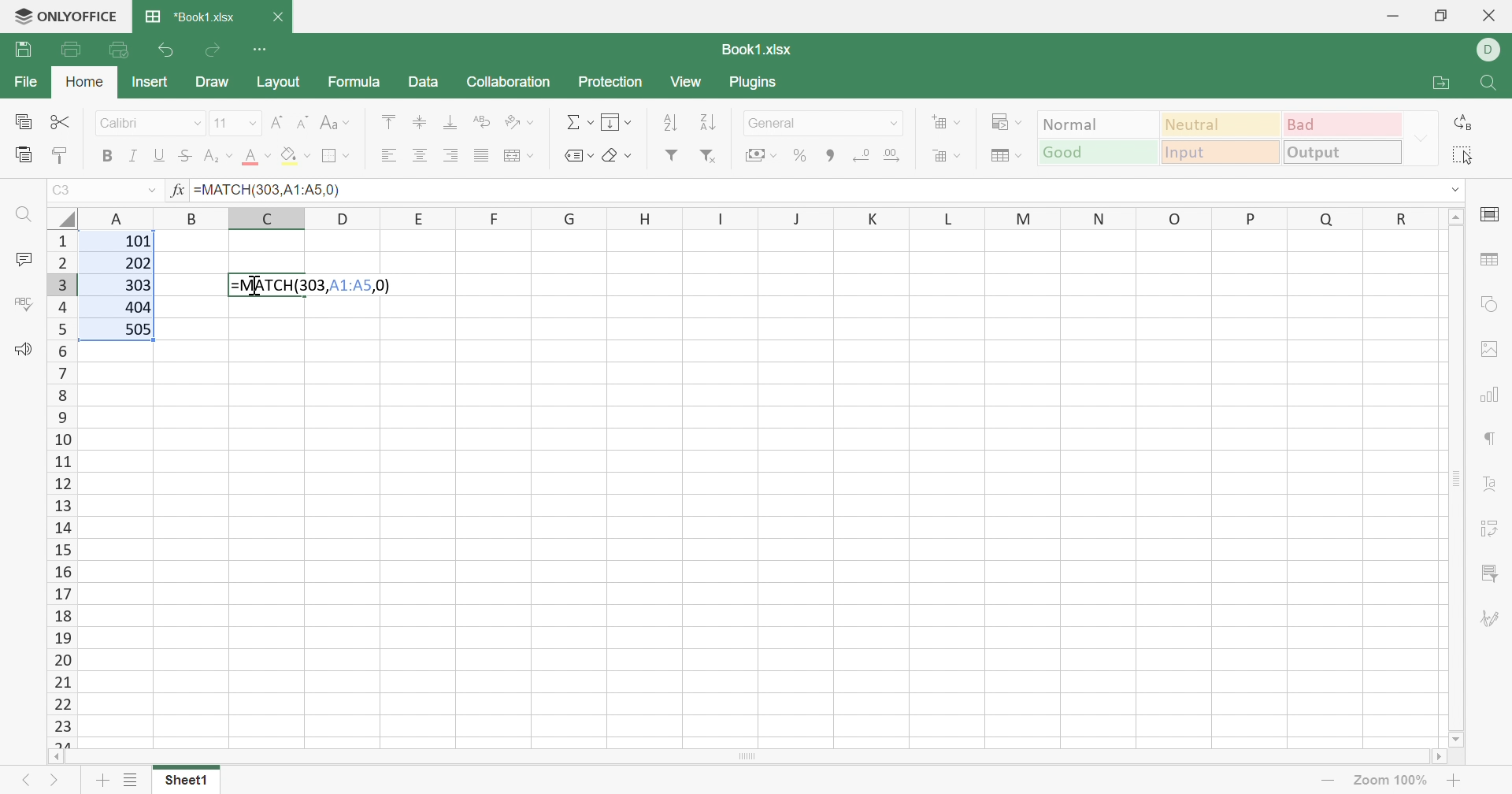 The image size is (1512, 794). I want to click on Zoom in, so click(1456, 780).